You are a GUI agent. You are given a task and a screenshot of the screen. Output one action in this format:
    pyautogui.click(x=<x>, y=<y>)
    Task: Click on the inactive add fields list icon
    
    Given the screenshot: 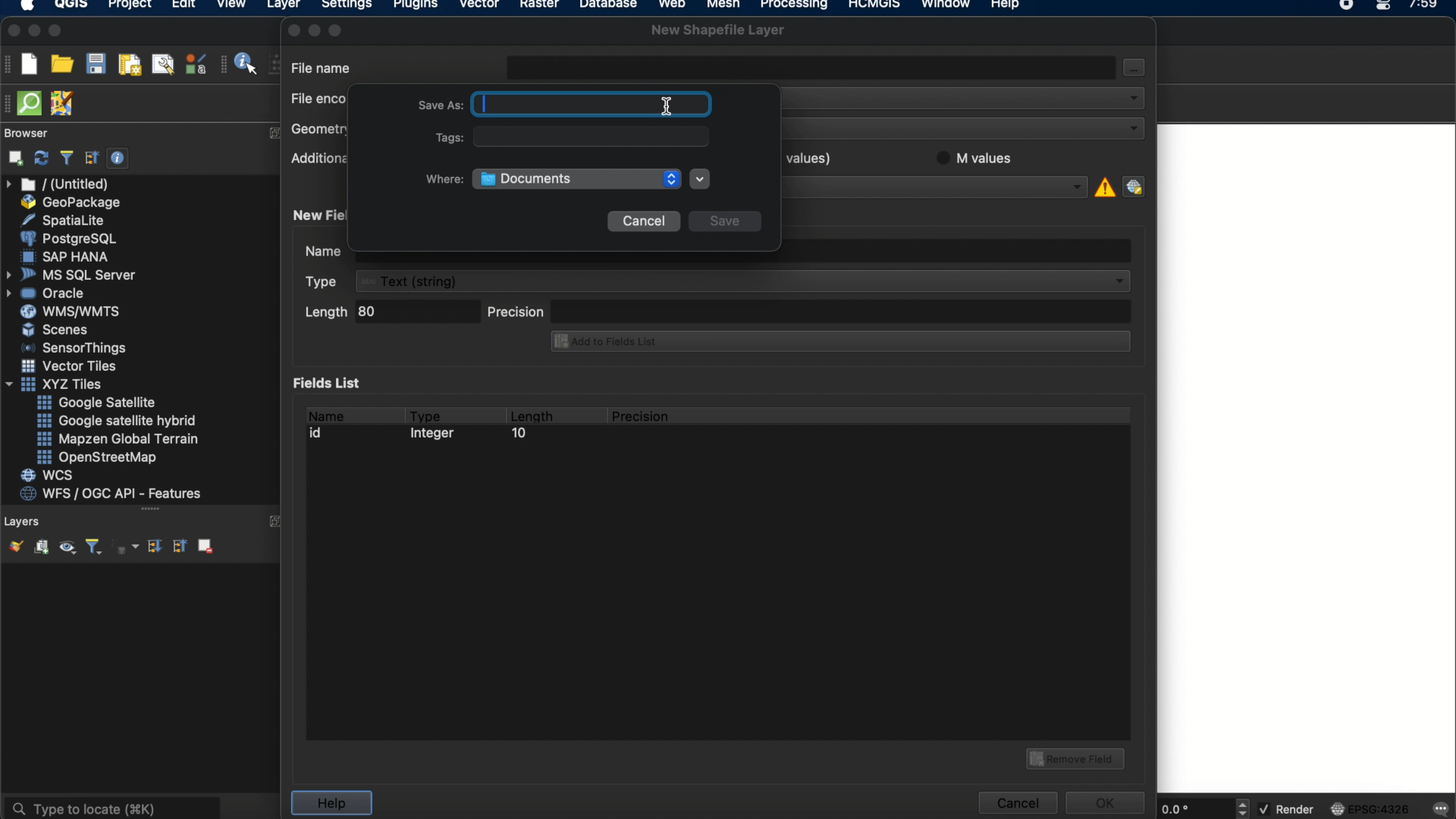 What is the action you would take?
    pyautogui.click(x=838, y=343)
    